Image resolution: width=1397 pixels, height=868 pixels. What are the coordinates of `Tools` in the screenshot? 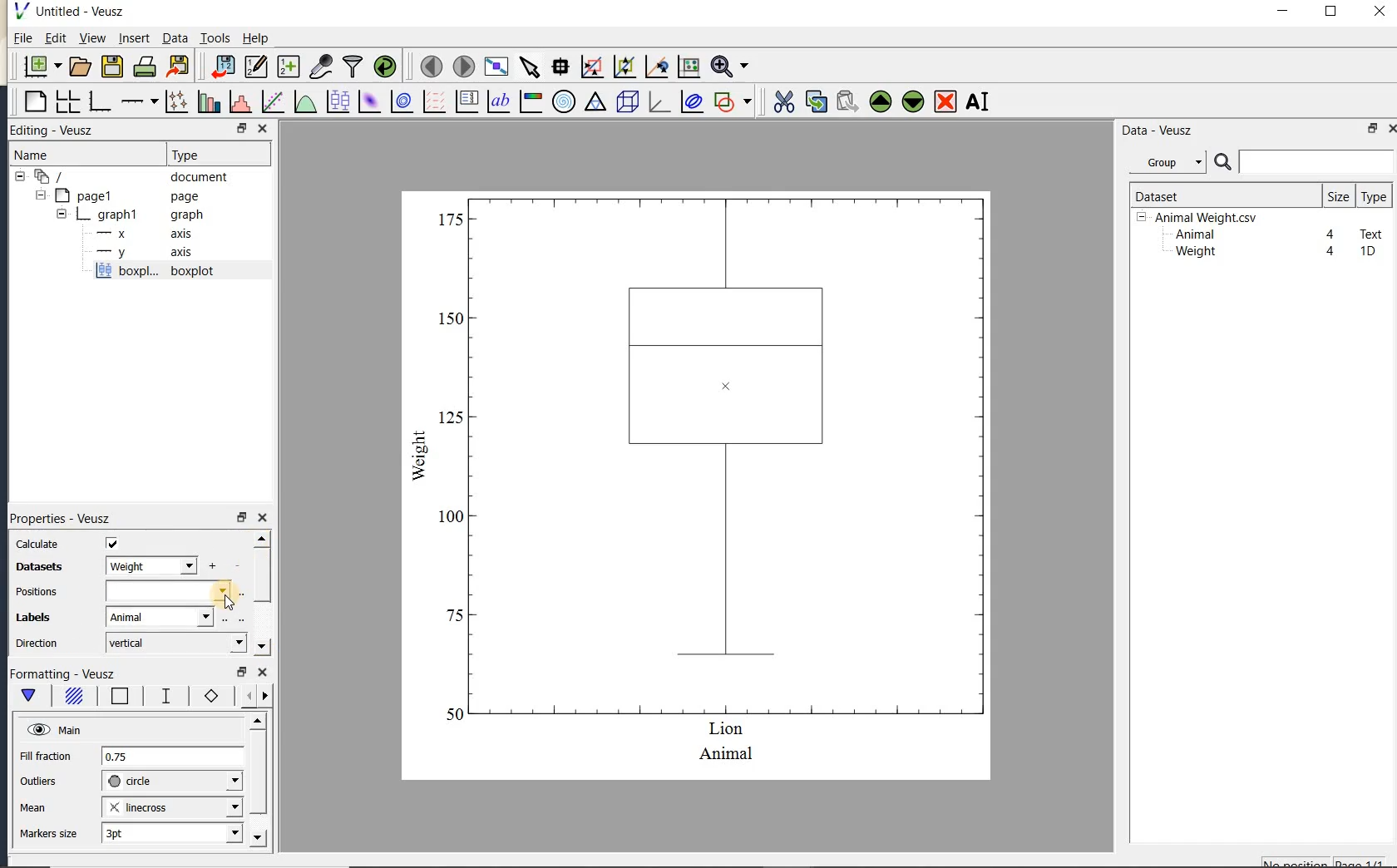 It's located at (216, 37).